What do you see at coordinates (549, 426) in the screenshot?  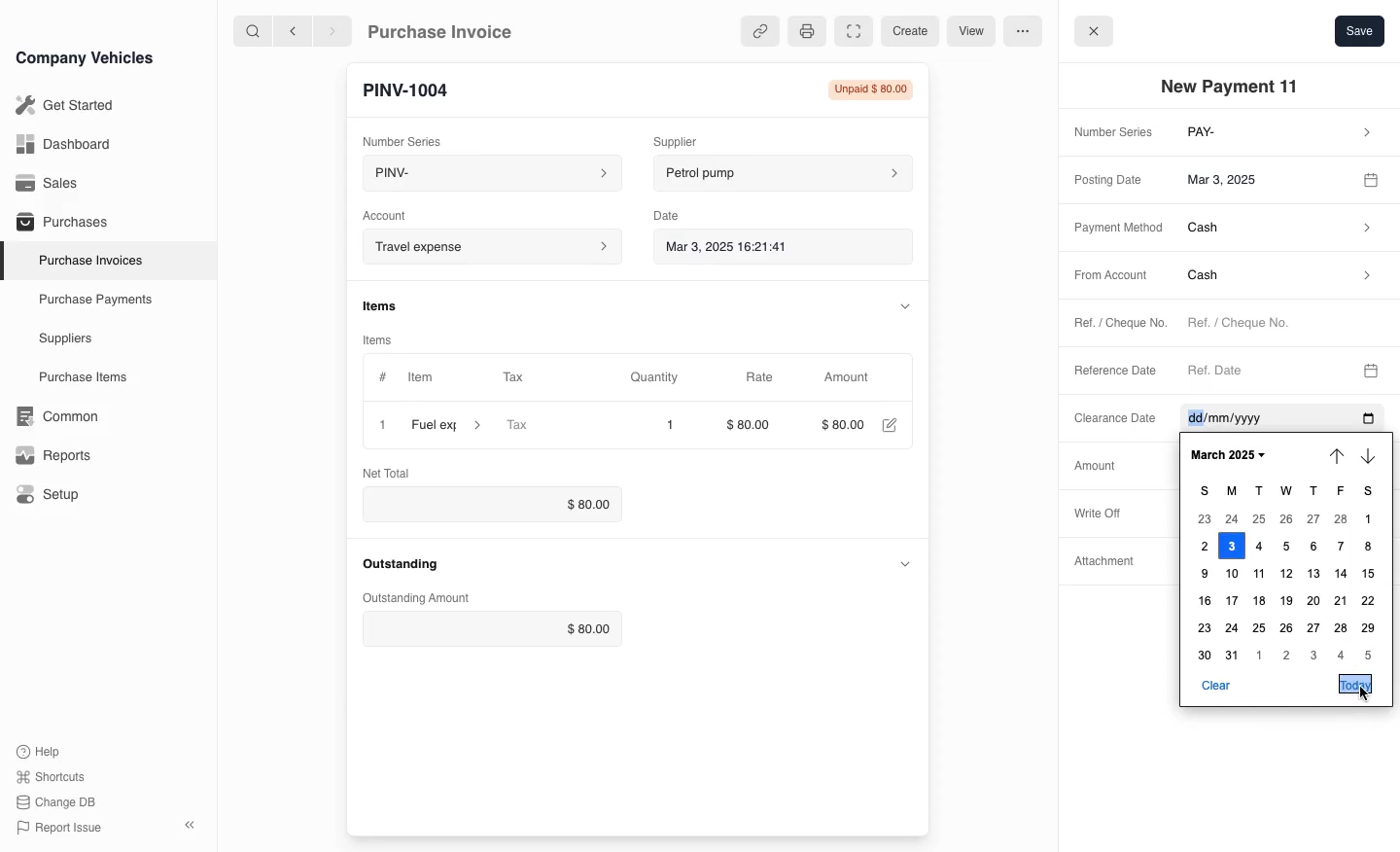 I see `Tax ` at bounding box center [549, 426].